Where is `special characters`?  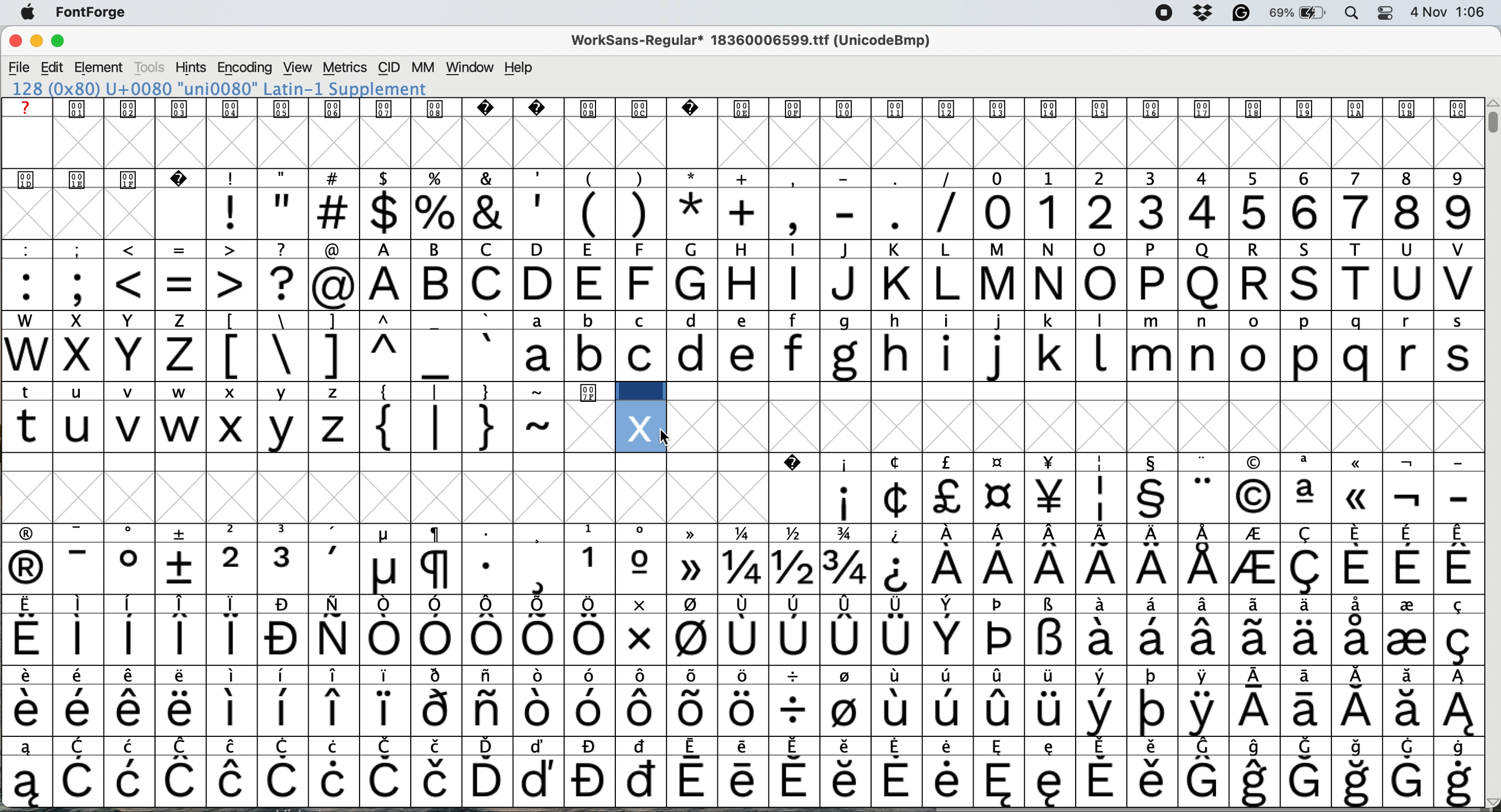
special characters is located at coordinates (588, 213).